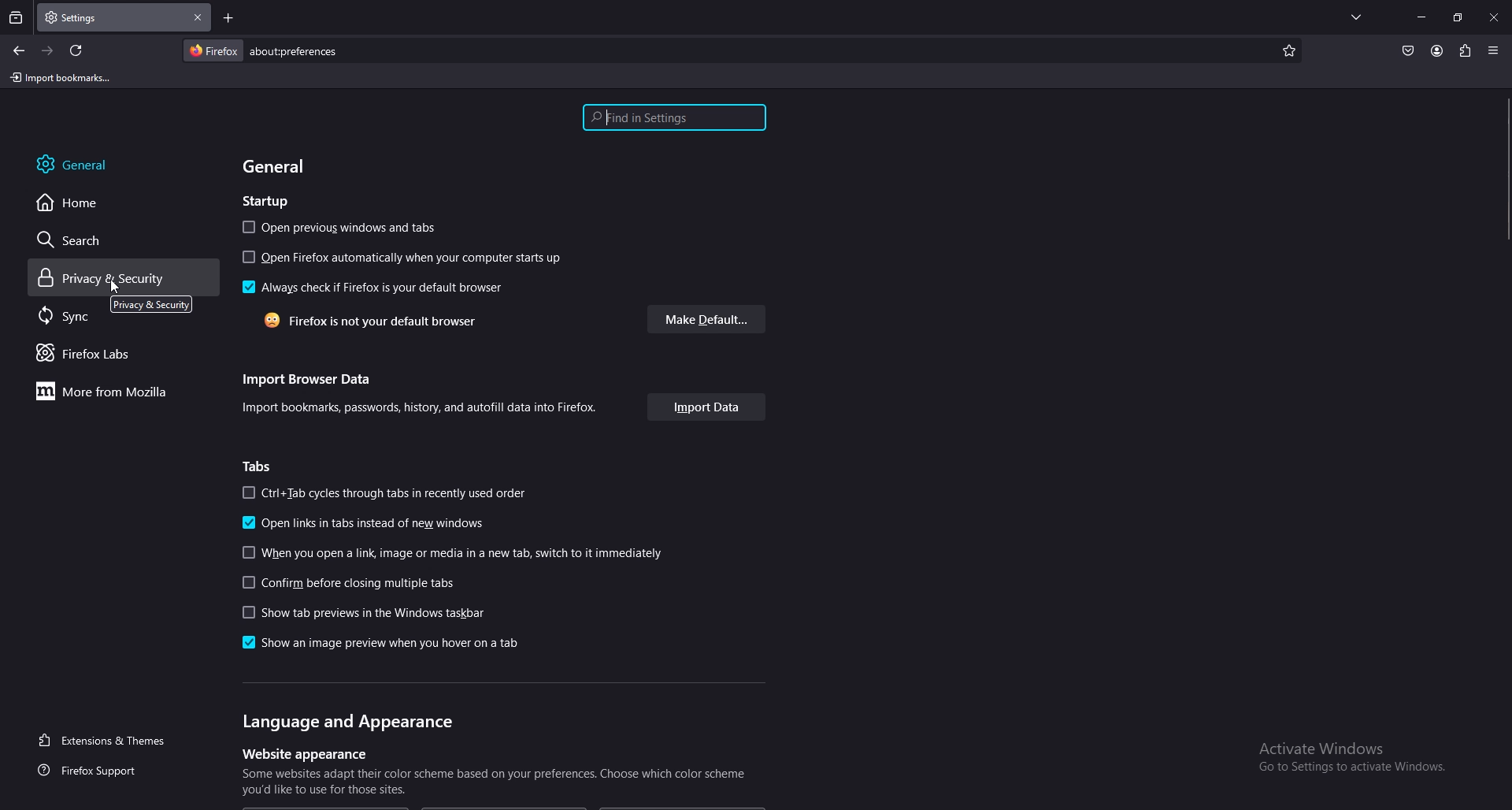 The width and height of the screenshot is (1512, 810). I want to click on import browser data, so click(304, 381).